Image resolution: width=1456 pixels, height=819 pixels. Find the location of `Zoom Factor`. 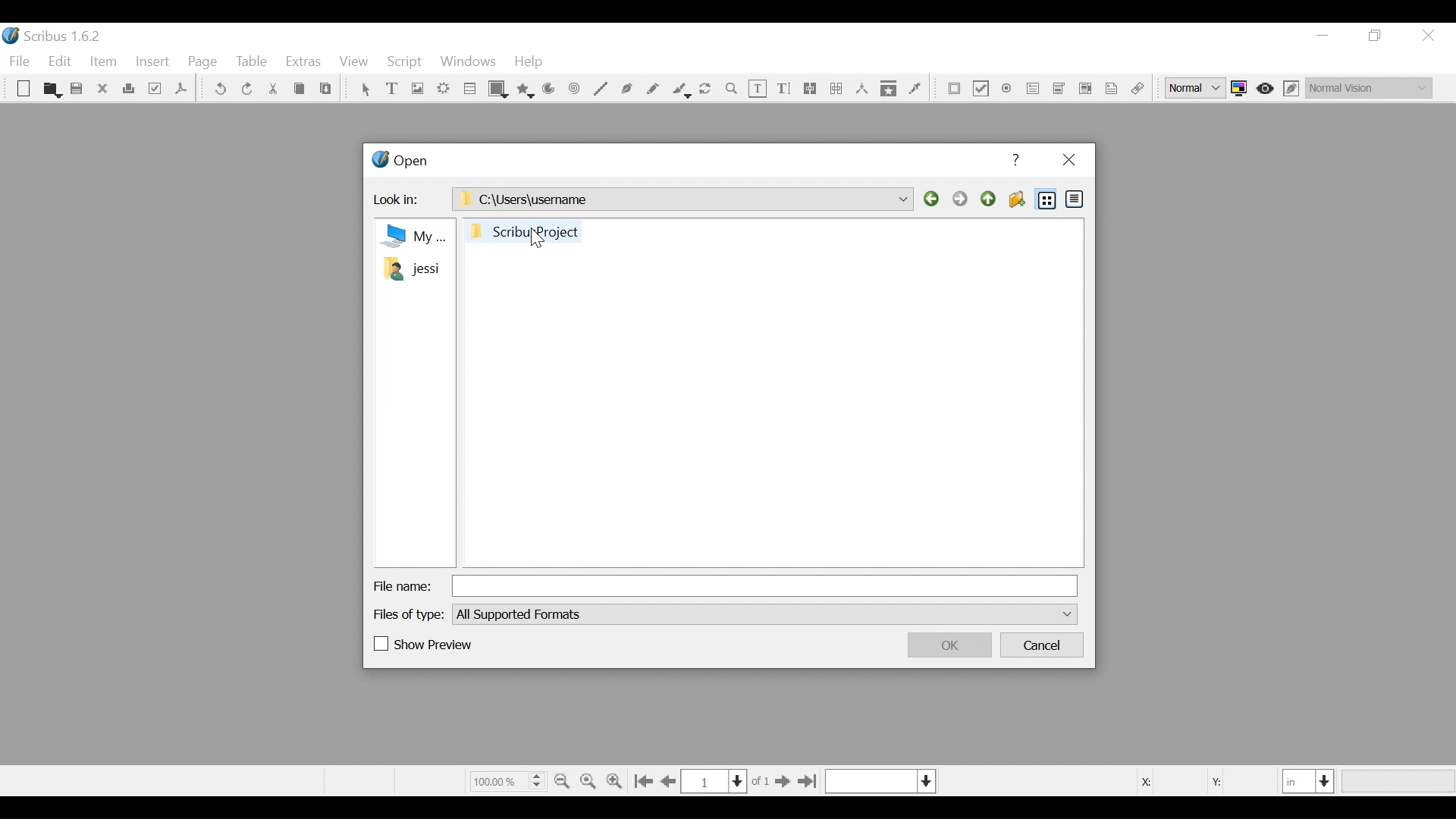

Zoom Factor is located at coordinates (507, 780).